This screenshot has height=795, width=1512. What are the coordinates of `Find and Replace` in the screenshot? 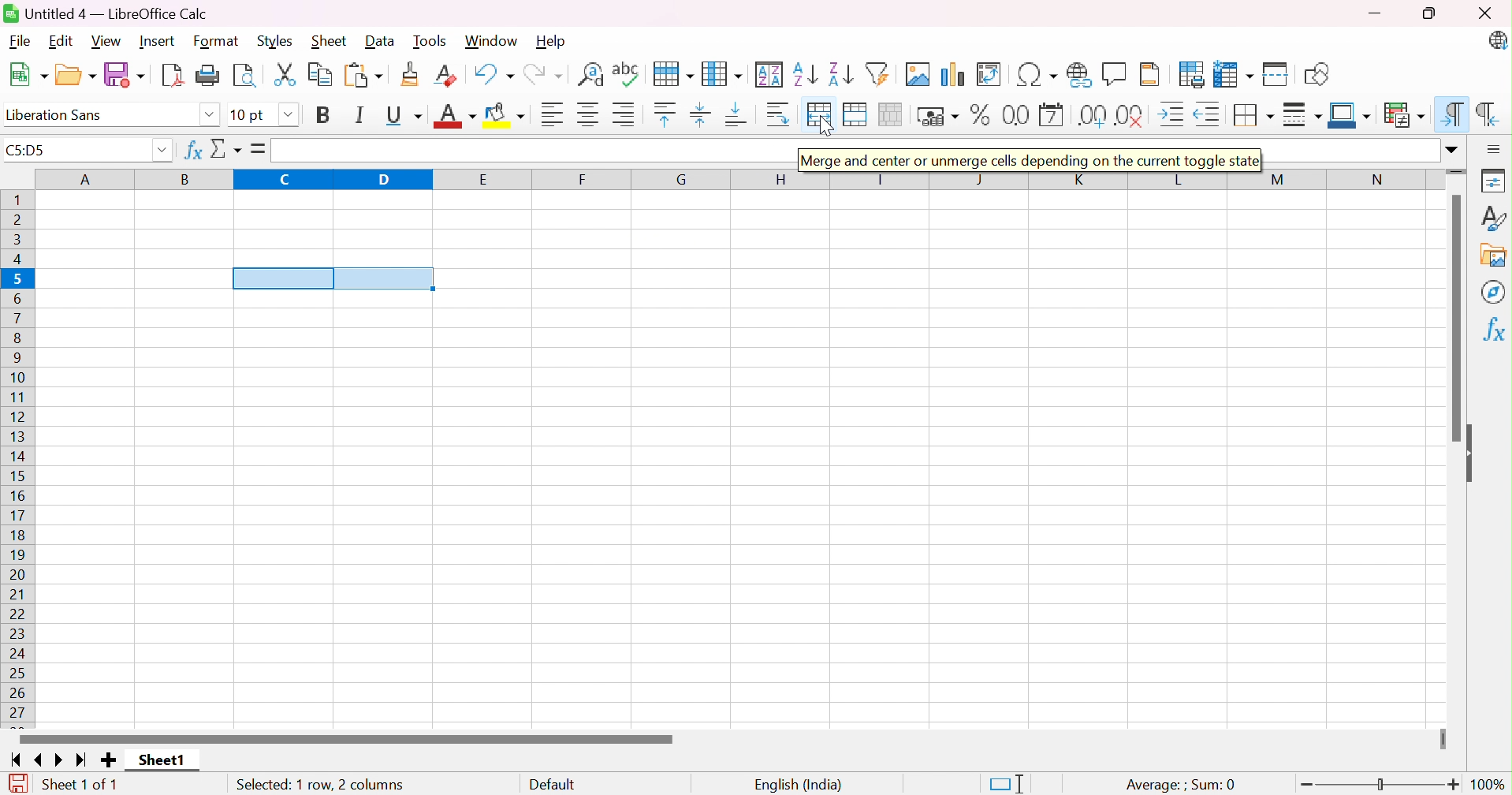 It's located at (591, 74).